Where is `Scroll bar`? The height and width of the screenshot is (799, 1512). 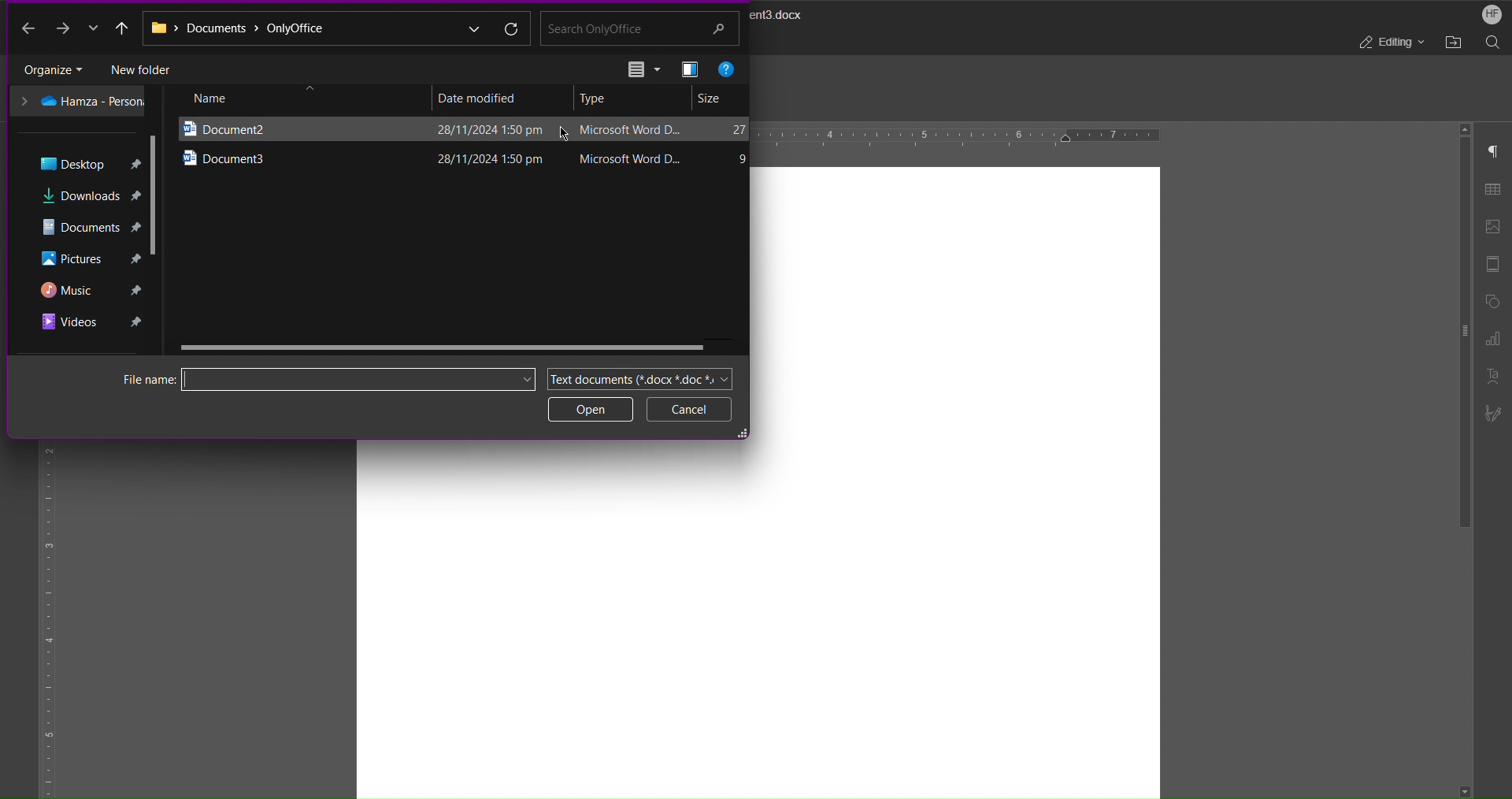 Scroll bar is located at coordinates (1458, 341).